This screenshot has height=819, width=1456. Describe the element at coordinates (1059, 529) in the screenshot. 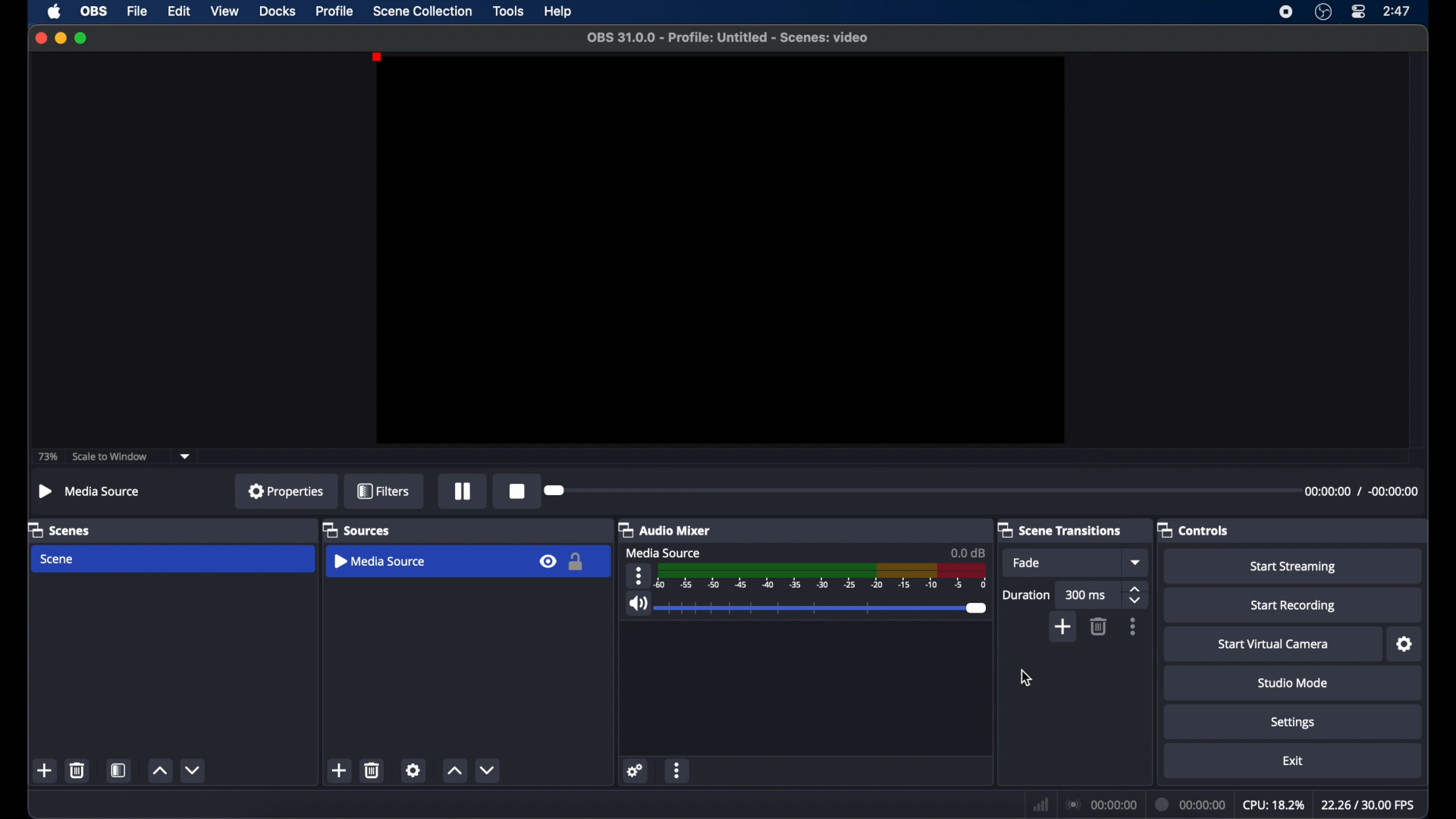

I see `scene transitions` at that location.